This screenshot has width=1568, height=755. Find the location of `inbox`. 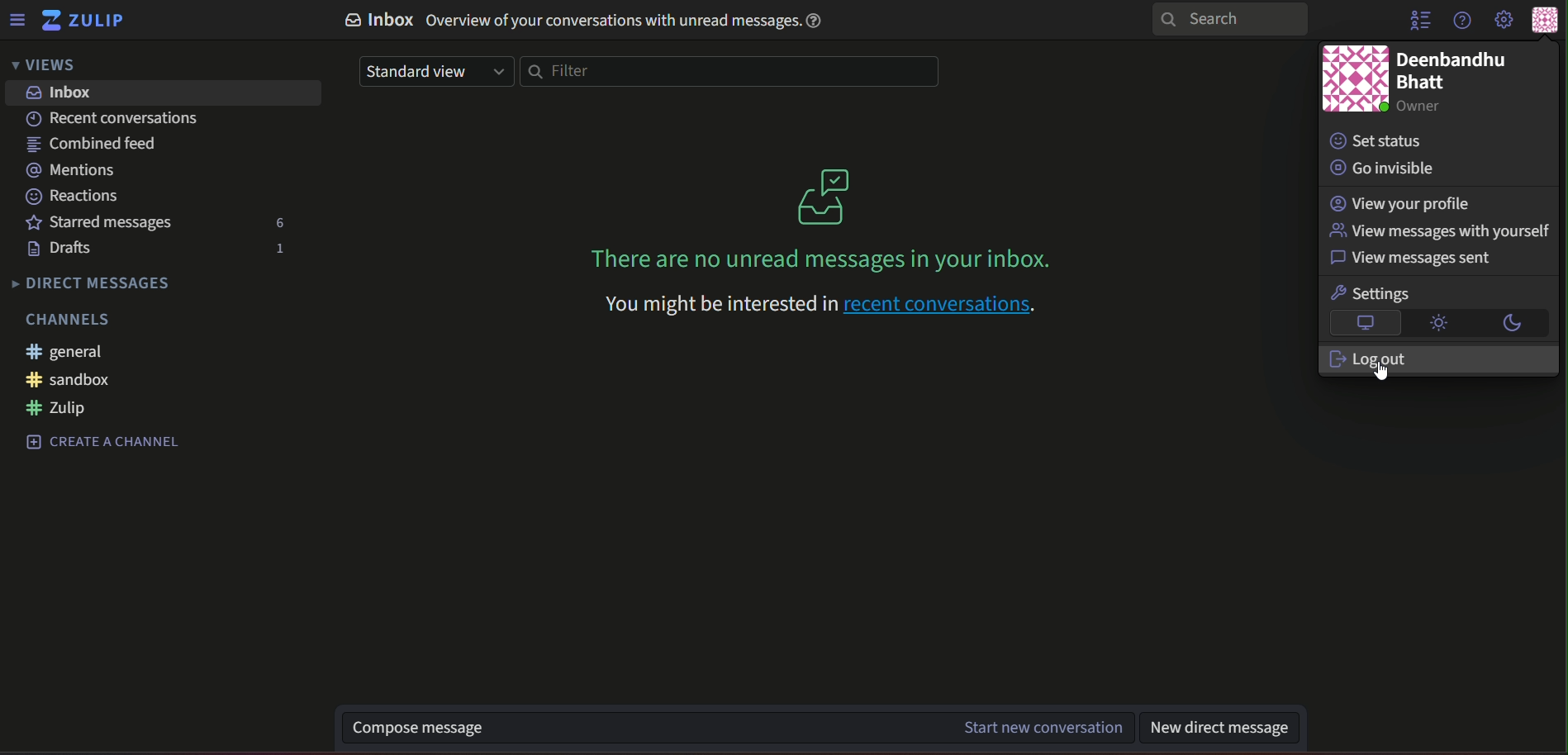

inbox is located at coordinates (63, 93).